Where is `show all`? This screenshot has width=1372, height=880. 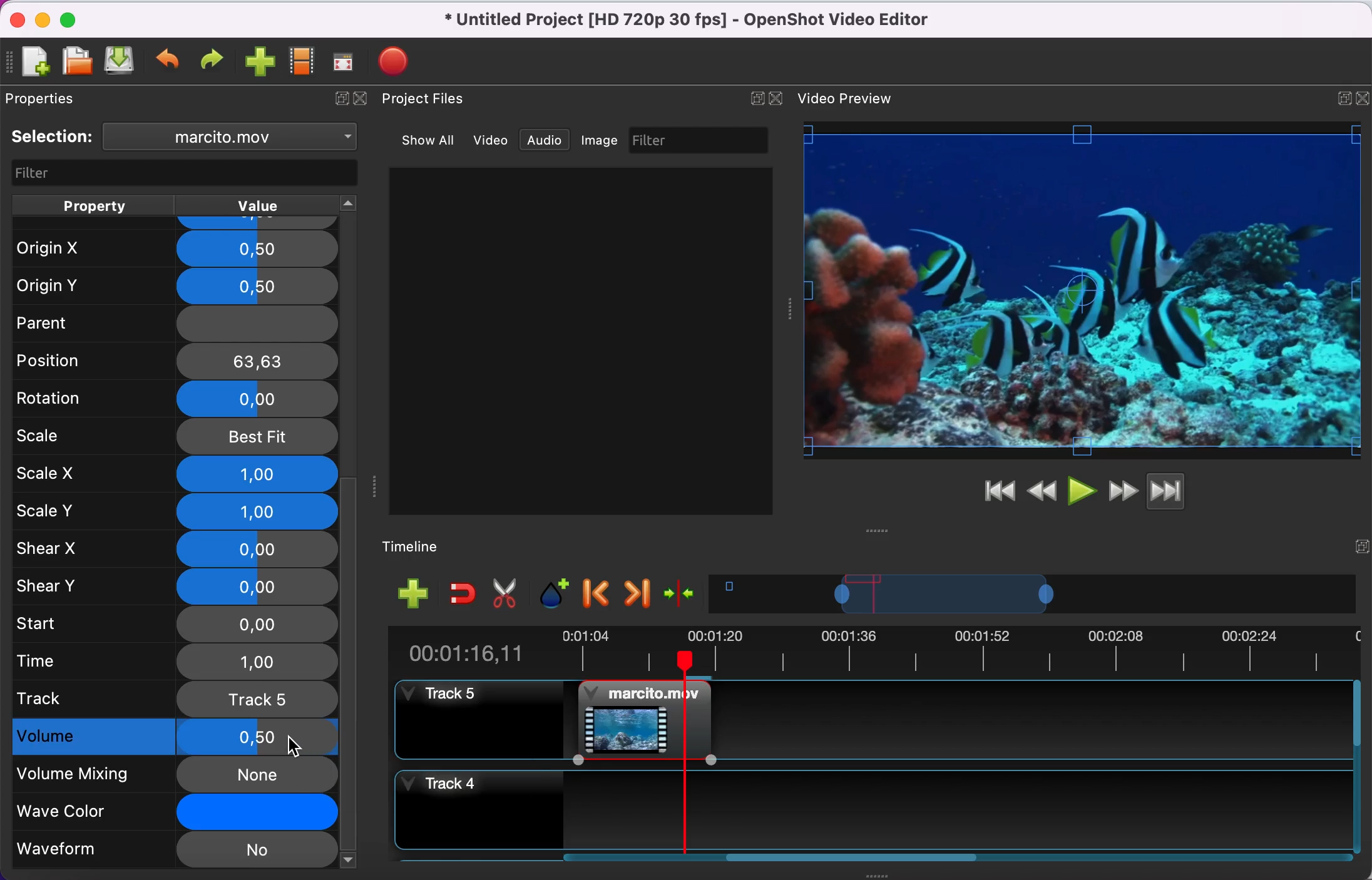 show all is located at coordinates (422, 138).